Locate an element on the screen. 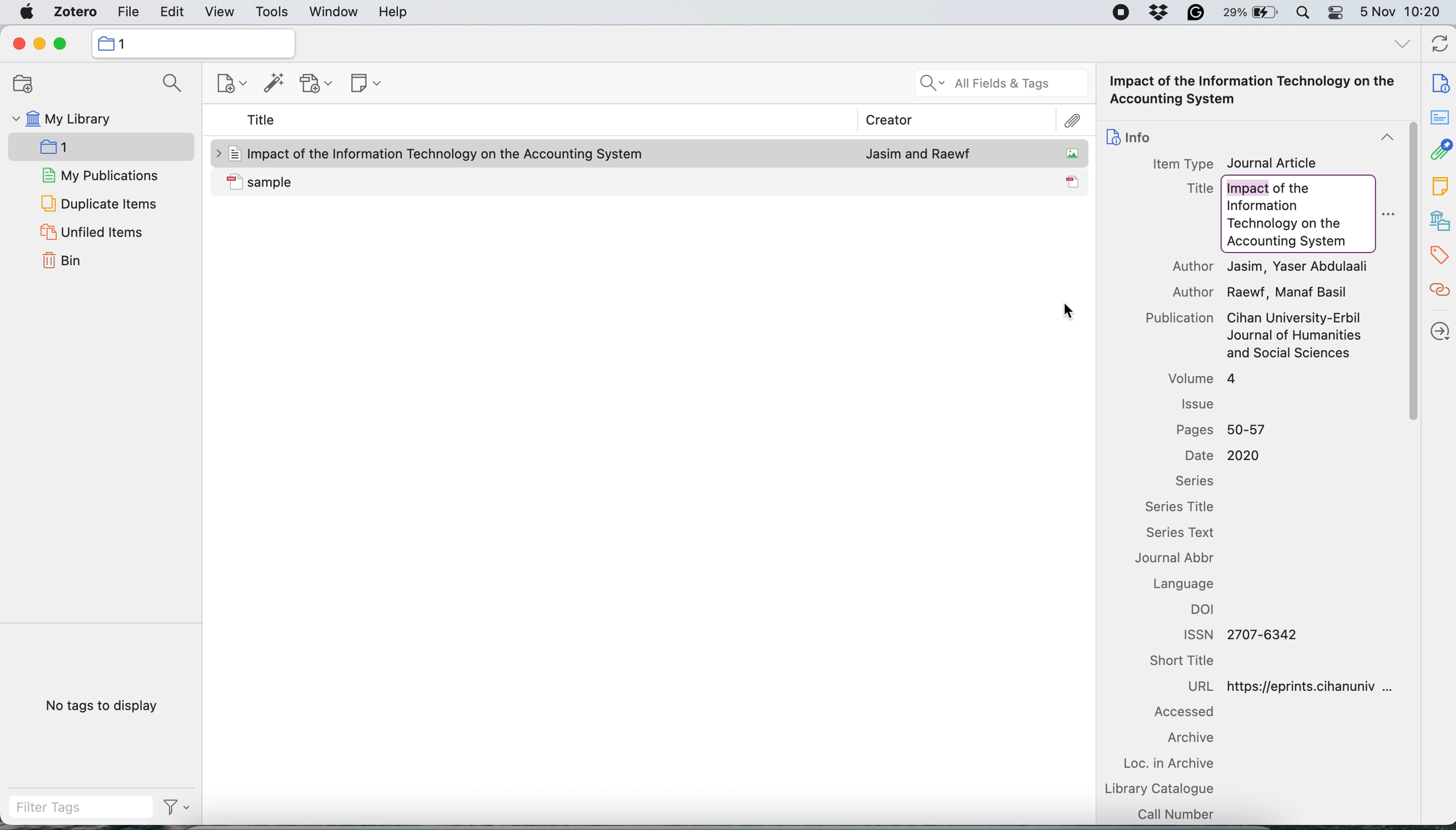 The width and height of the screenshot is (1456, 830). library catalogue is located at coordinates (1173, 788).